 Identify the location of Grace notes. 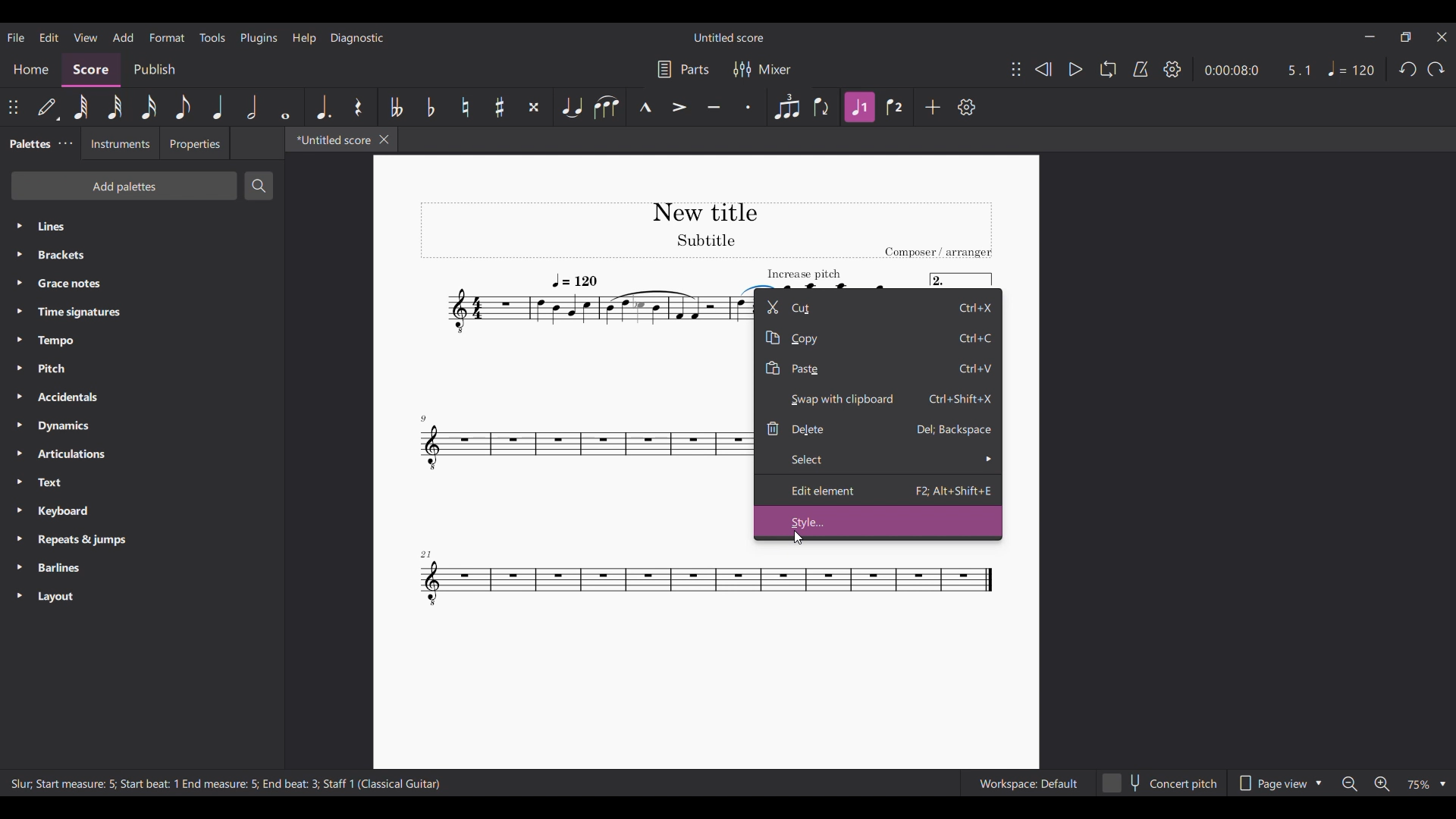
(141, 283).